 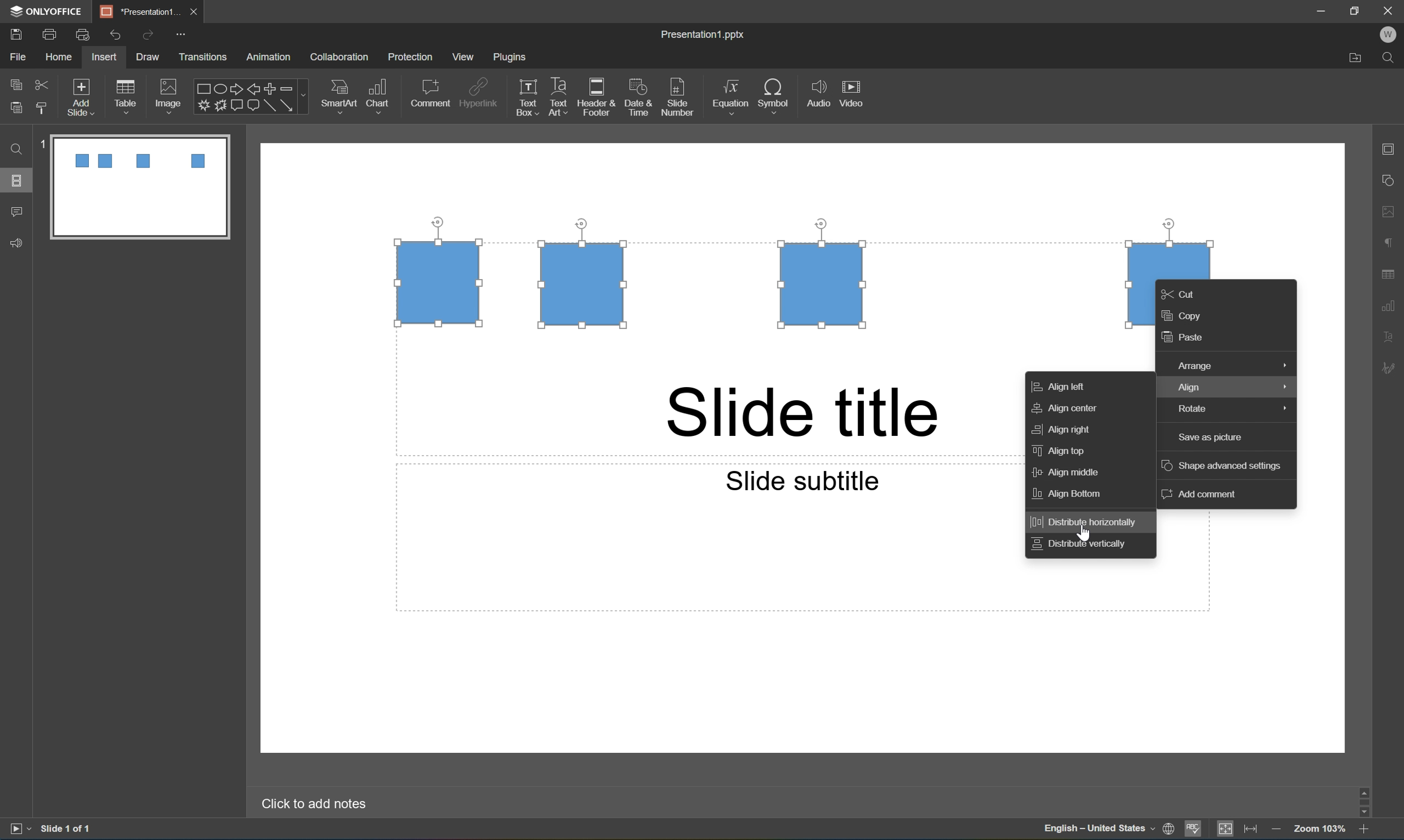 What do you see at coordinates (250, 96) in the screenshot?
I see `shapes` at bounding box center [250, 96].